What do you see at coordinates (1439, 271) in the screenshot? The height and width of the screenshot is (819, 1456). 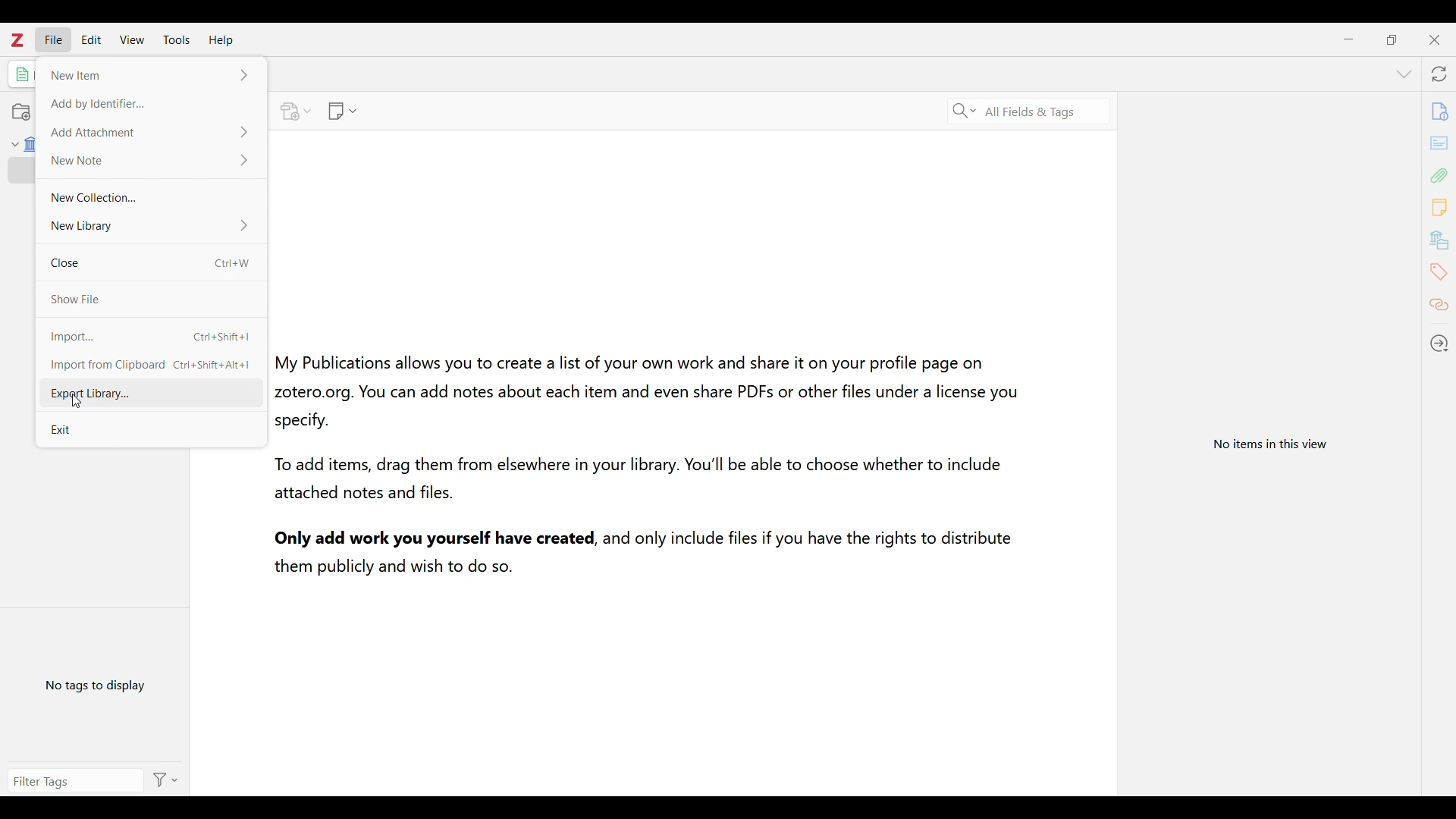 I see `Tags` at bounding box center [1439, 271].